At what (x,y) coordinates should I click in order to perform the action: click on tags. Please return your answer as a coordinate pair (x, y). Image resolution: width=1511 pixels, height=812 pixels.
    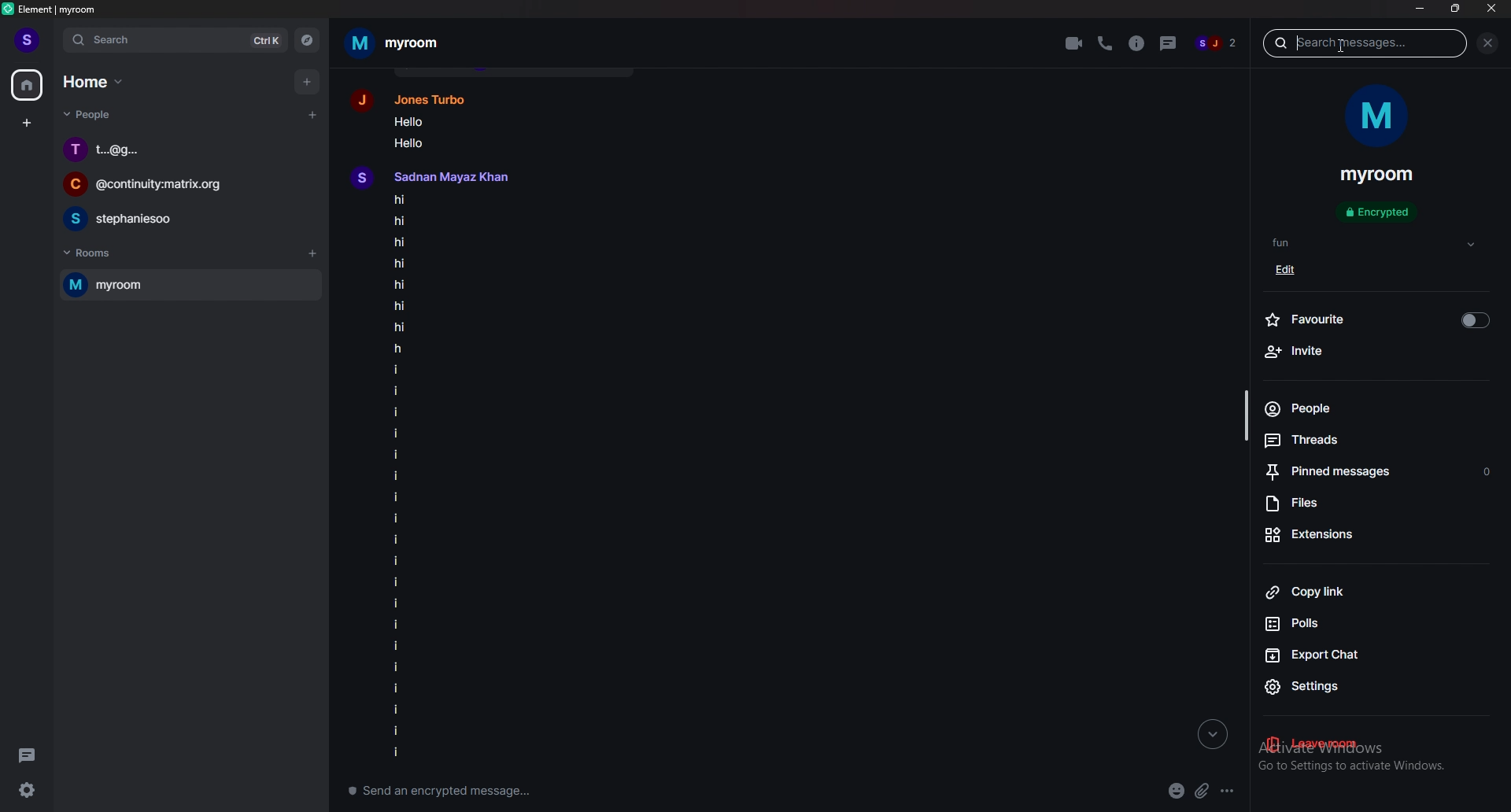
    Looking at the image, I should click on (1374, 244).